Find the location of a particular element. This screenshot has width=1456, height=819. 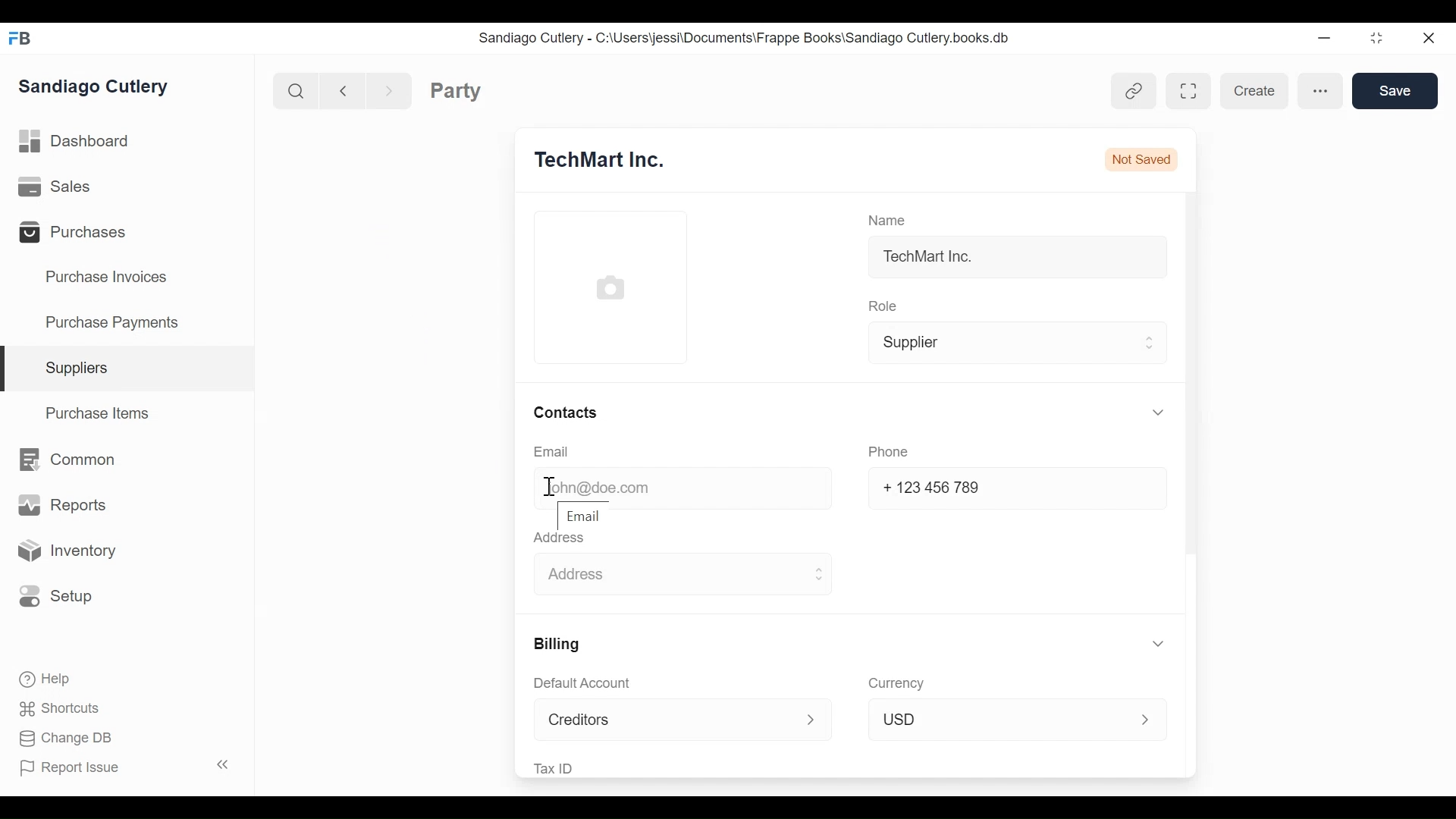

Email is located at coordinates (586, 515).